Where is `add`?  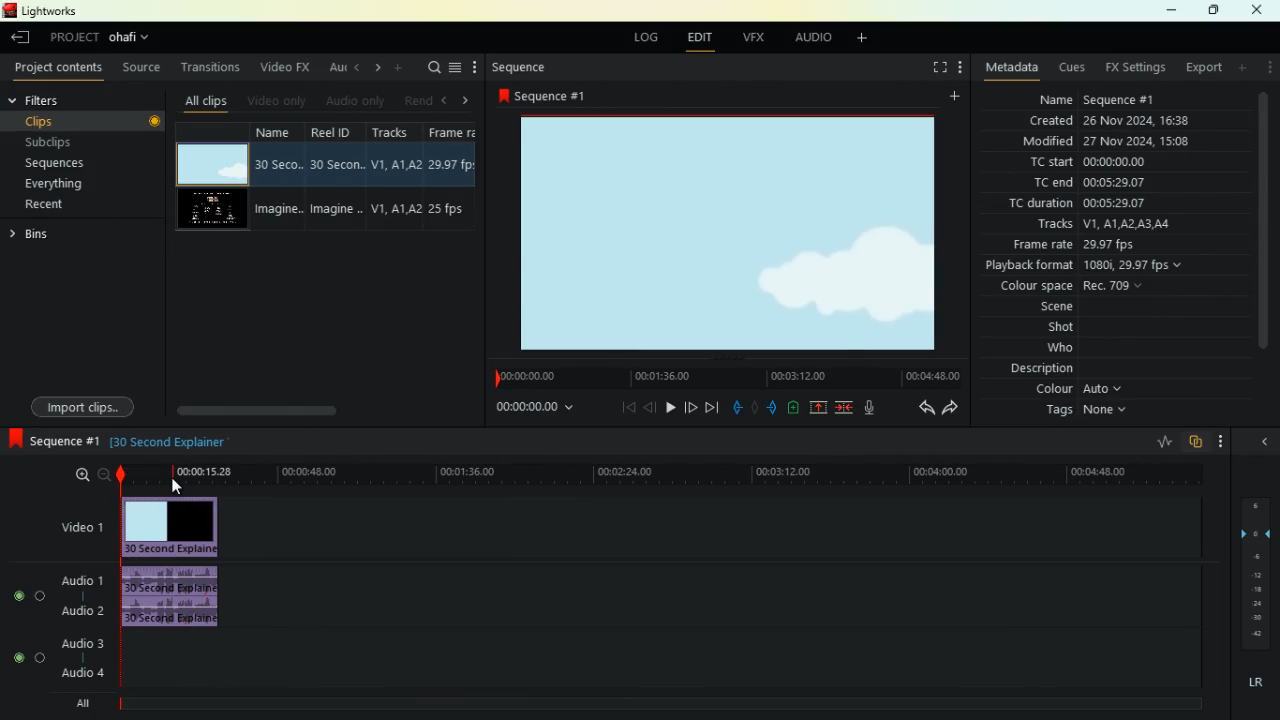
add is located at coordinates (402, 68).